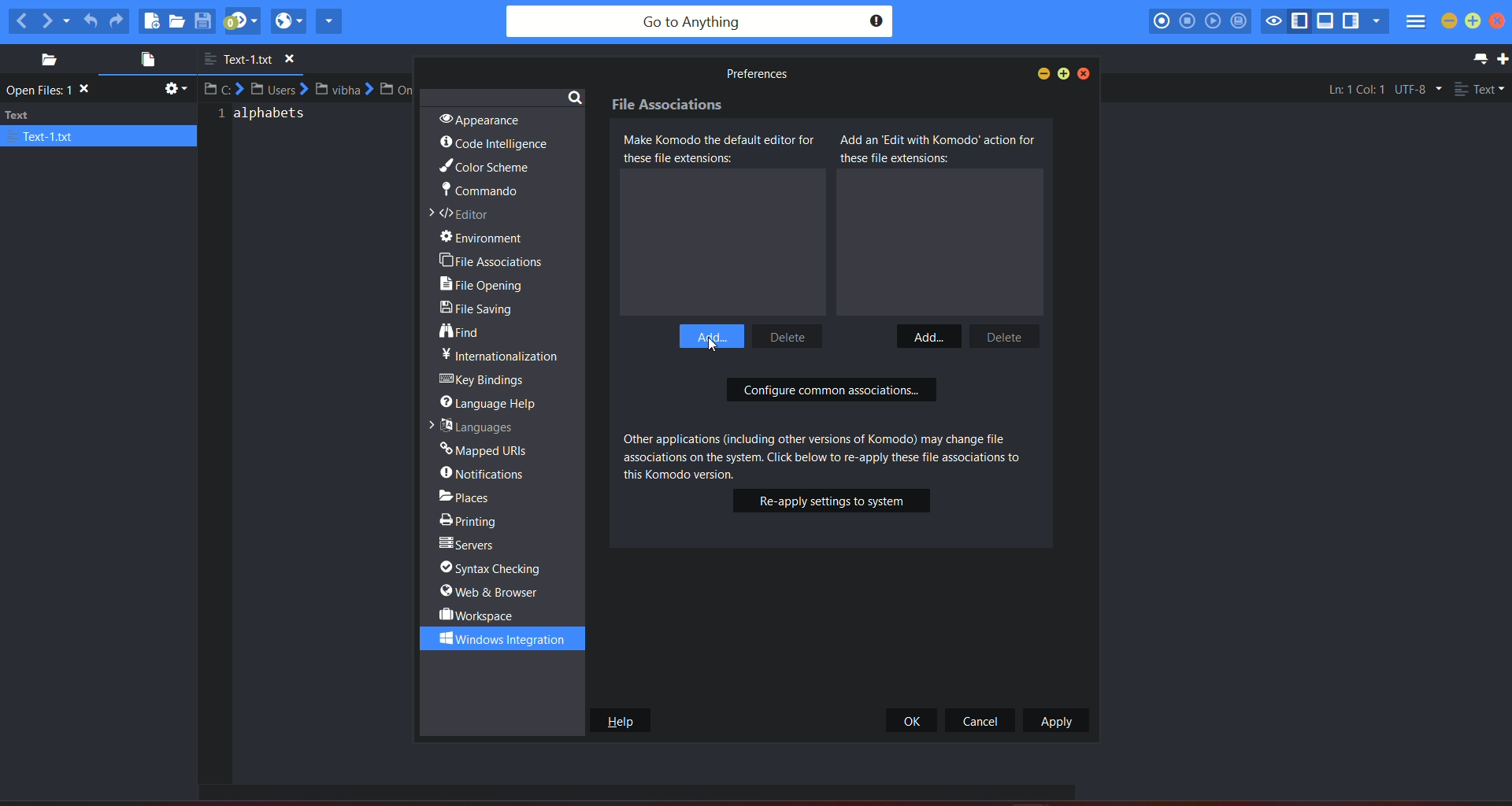 The image size is (1512, 806). I want to click on Other applications (including other versions of Komodo) may change file
associations on the system. Click below to re-apply these file associations to
this Komodo version., so click(836, 453).